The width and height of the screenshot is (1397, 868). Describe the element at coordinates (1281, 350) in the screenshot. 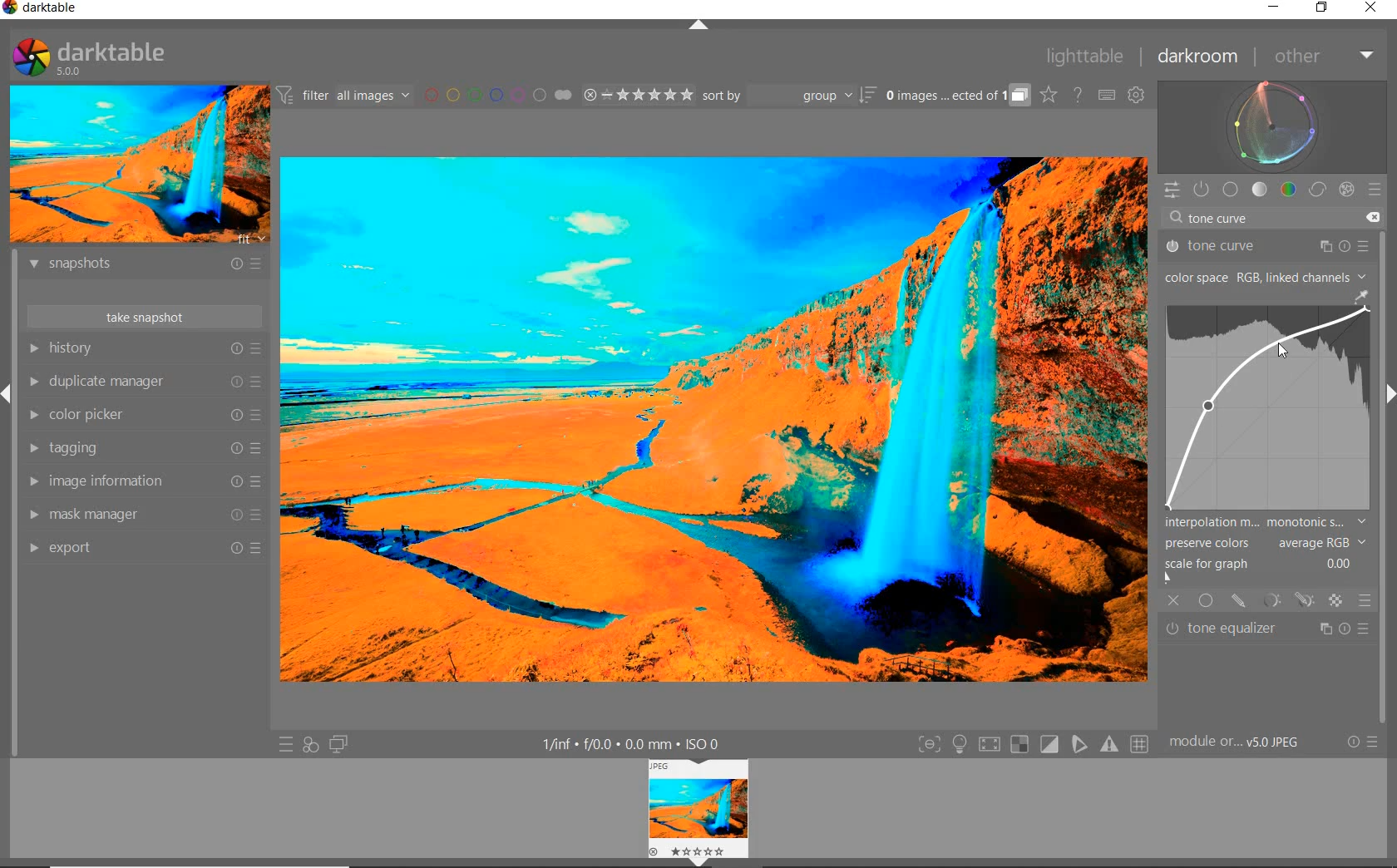

I see `CURSOR` at that location.